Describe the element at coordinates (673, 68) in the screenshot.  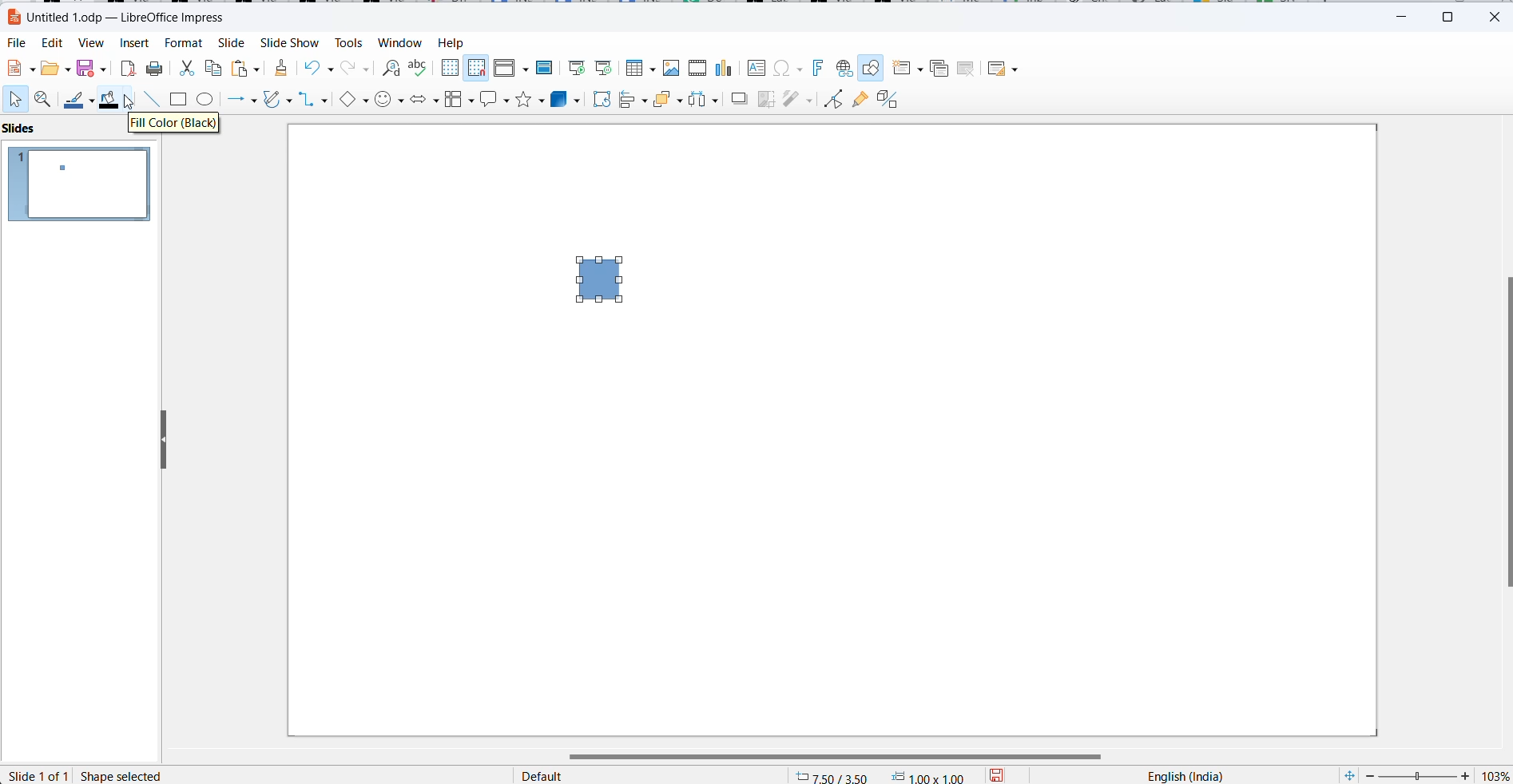
I see `Insert image` at that location.